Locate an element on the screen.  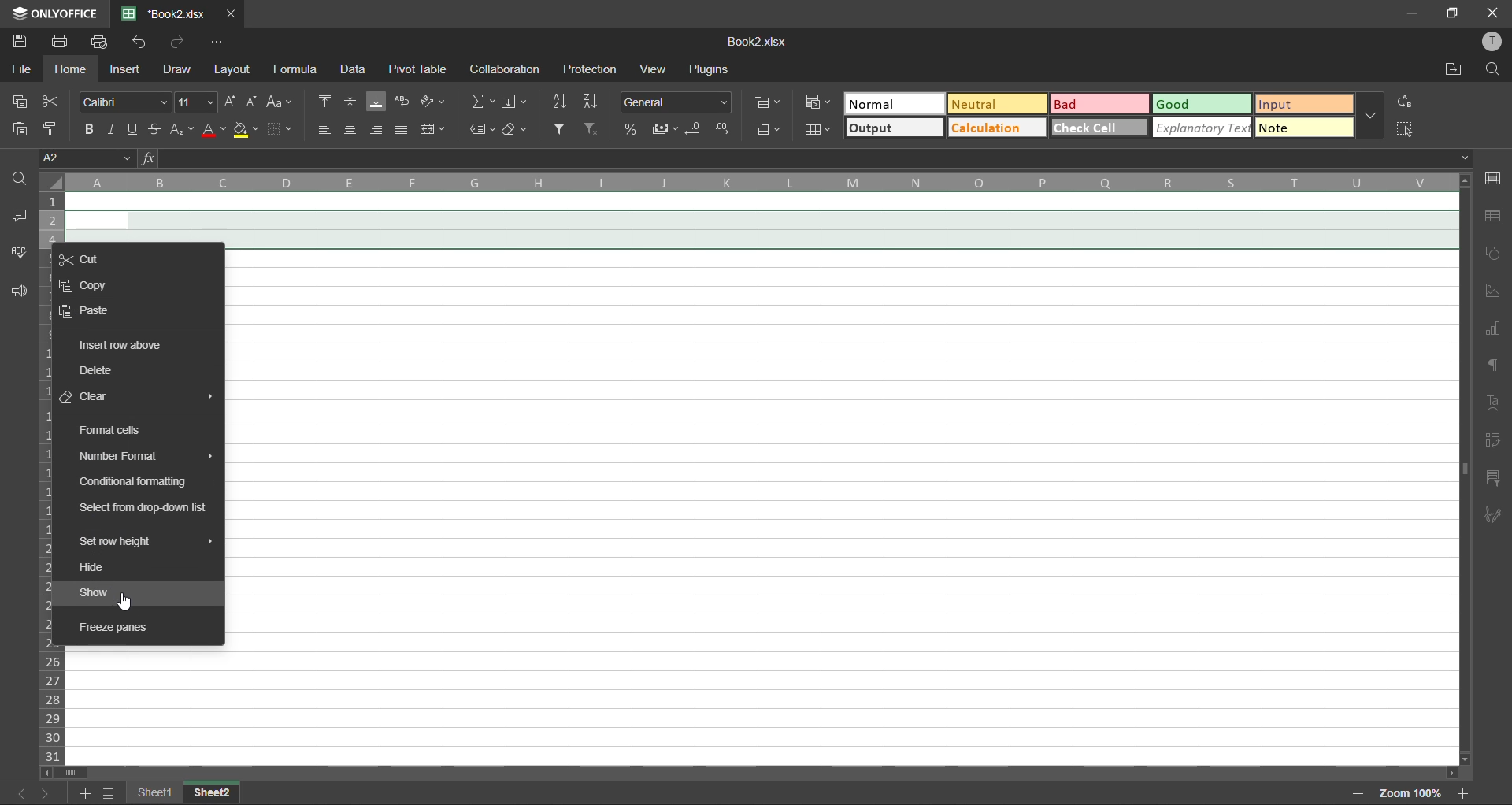
column names is located at coordinates (759, 182).